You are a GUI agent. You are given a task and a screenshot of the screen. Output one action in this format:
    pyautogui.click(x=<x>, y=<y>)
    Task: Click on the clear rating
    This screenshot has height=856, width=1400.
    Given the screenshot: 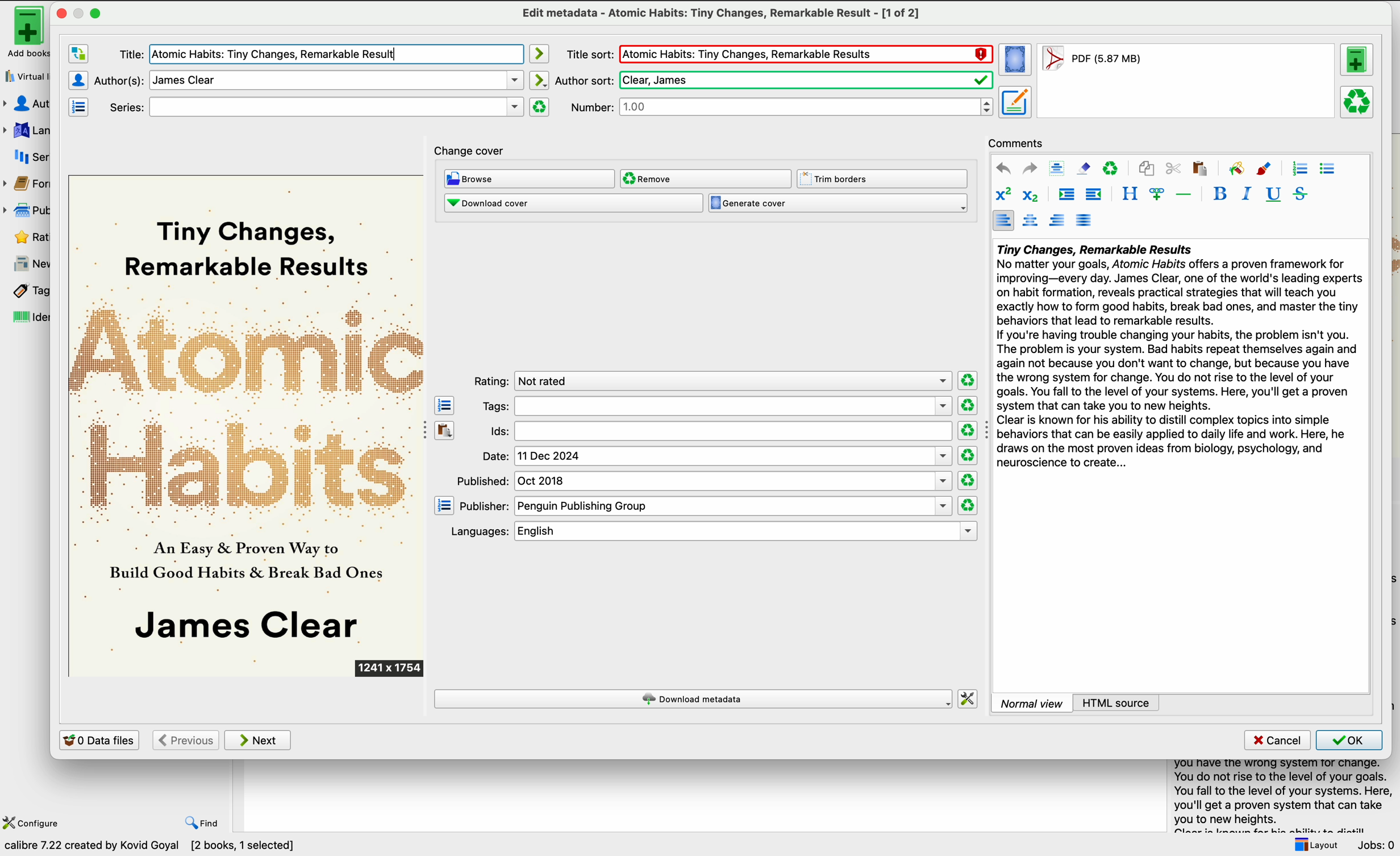 What is the action you would take?
    pyautogui.click(x=966, y=481)
    